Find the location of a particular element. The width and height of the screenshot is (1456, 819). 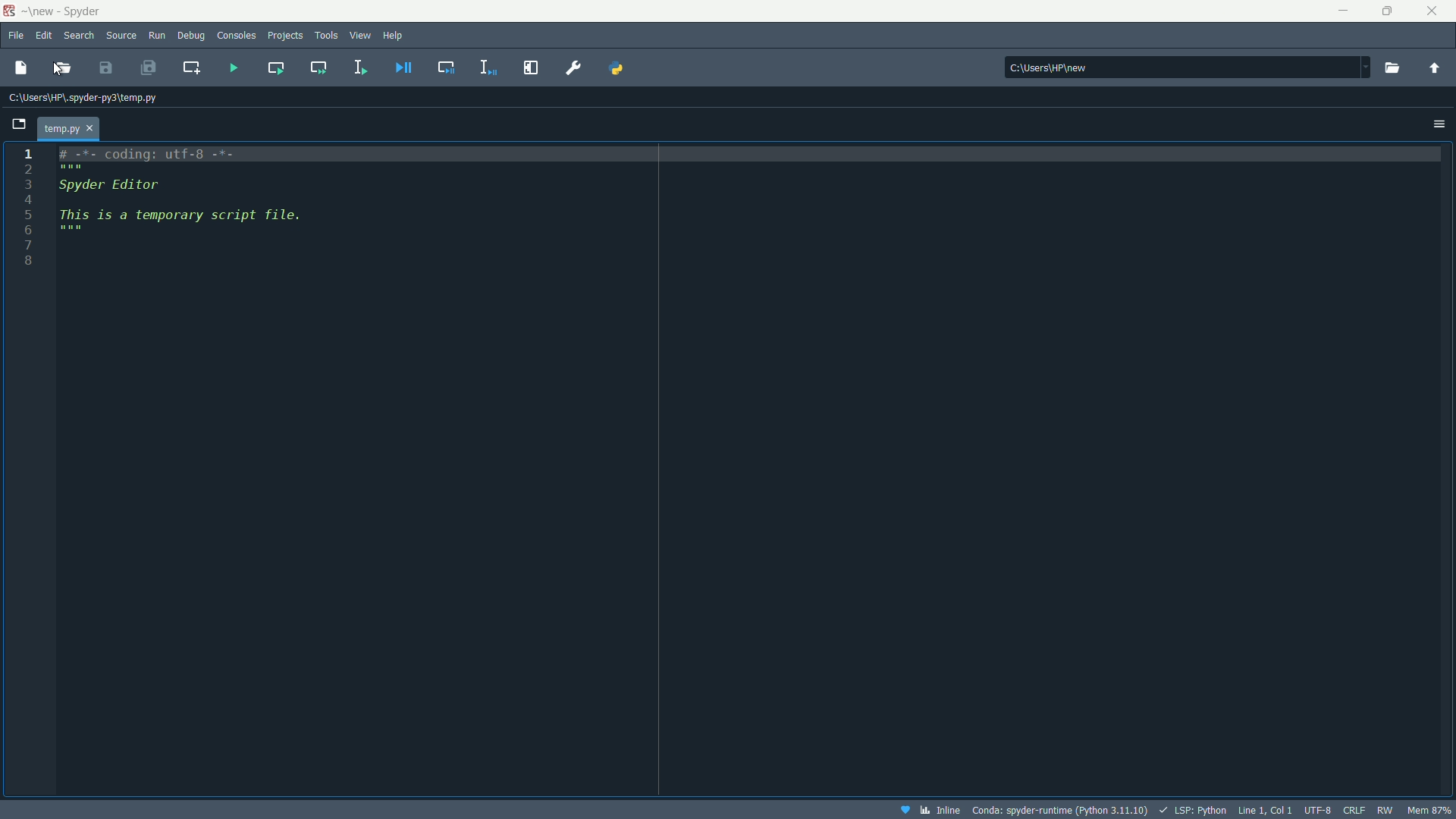

save all files is located at coordinates (153, 71).